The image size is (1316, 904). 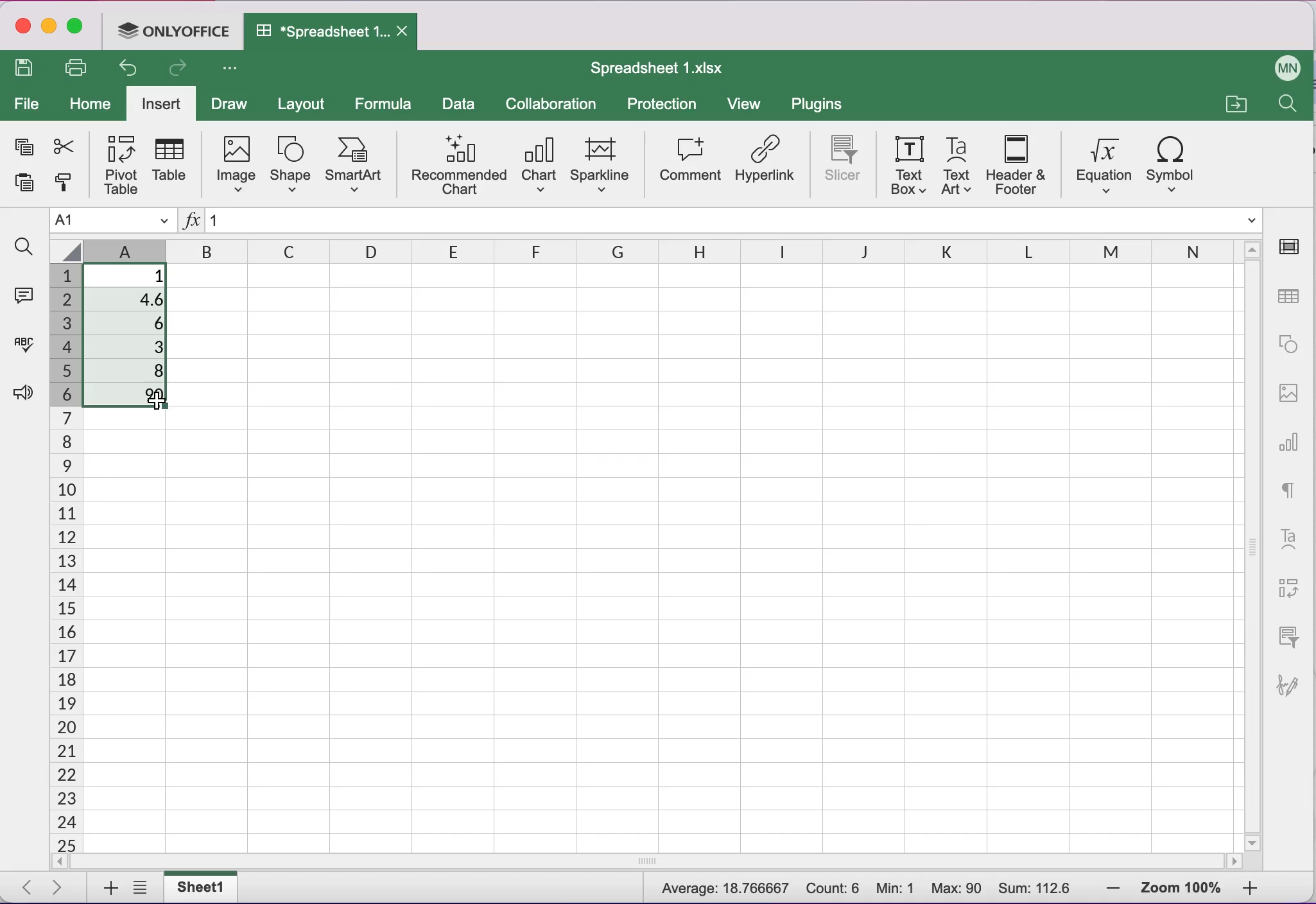 I want to click on data, so click(x=460, y=105).